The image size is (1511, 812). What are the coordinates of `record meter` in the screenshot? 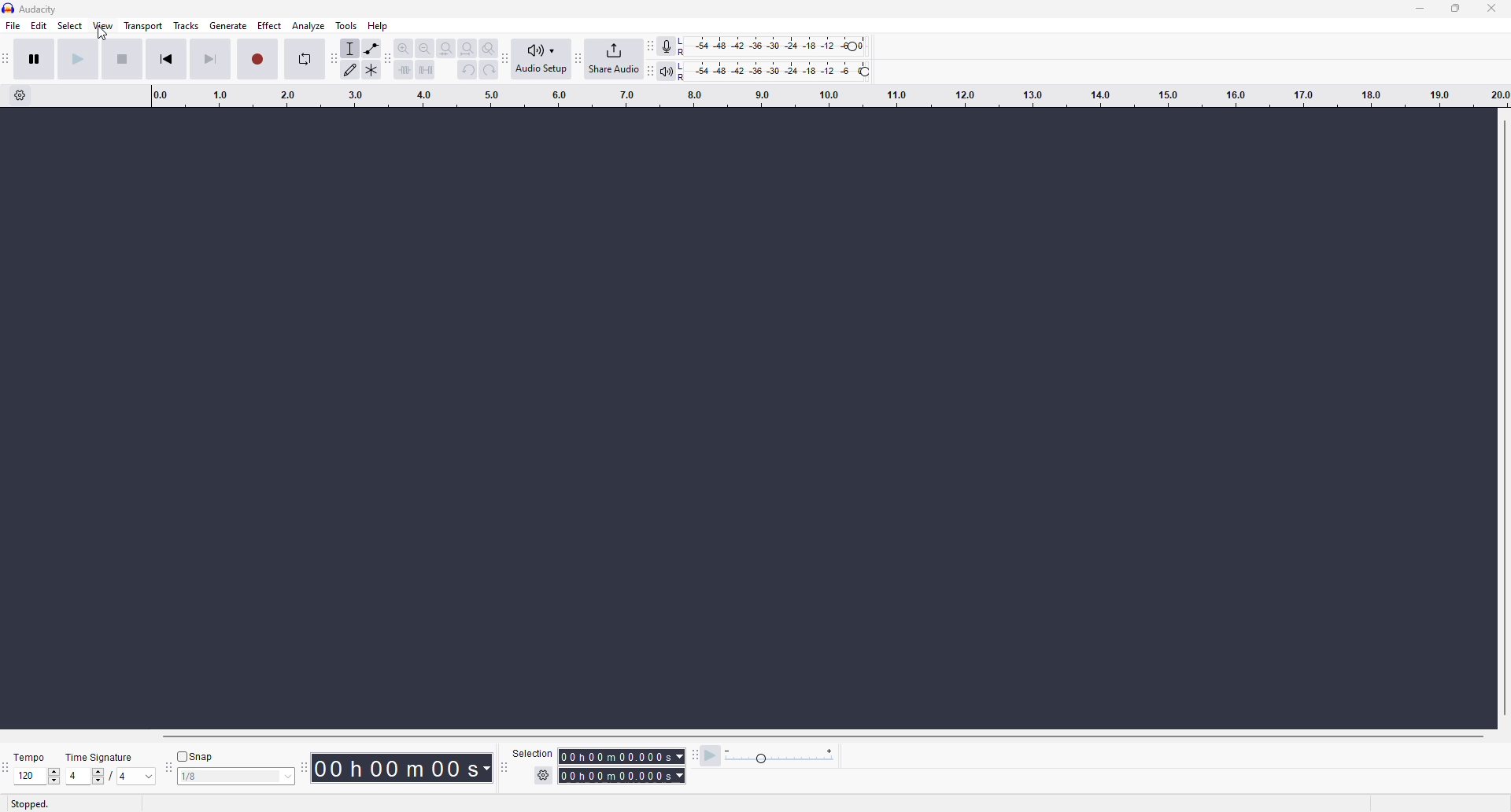 It's located at (669, 46).